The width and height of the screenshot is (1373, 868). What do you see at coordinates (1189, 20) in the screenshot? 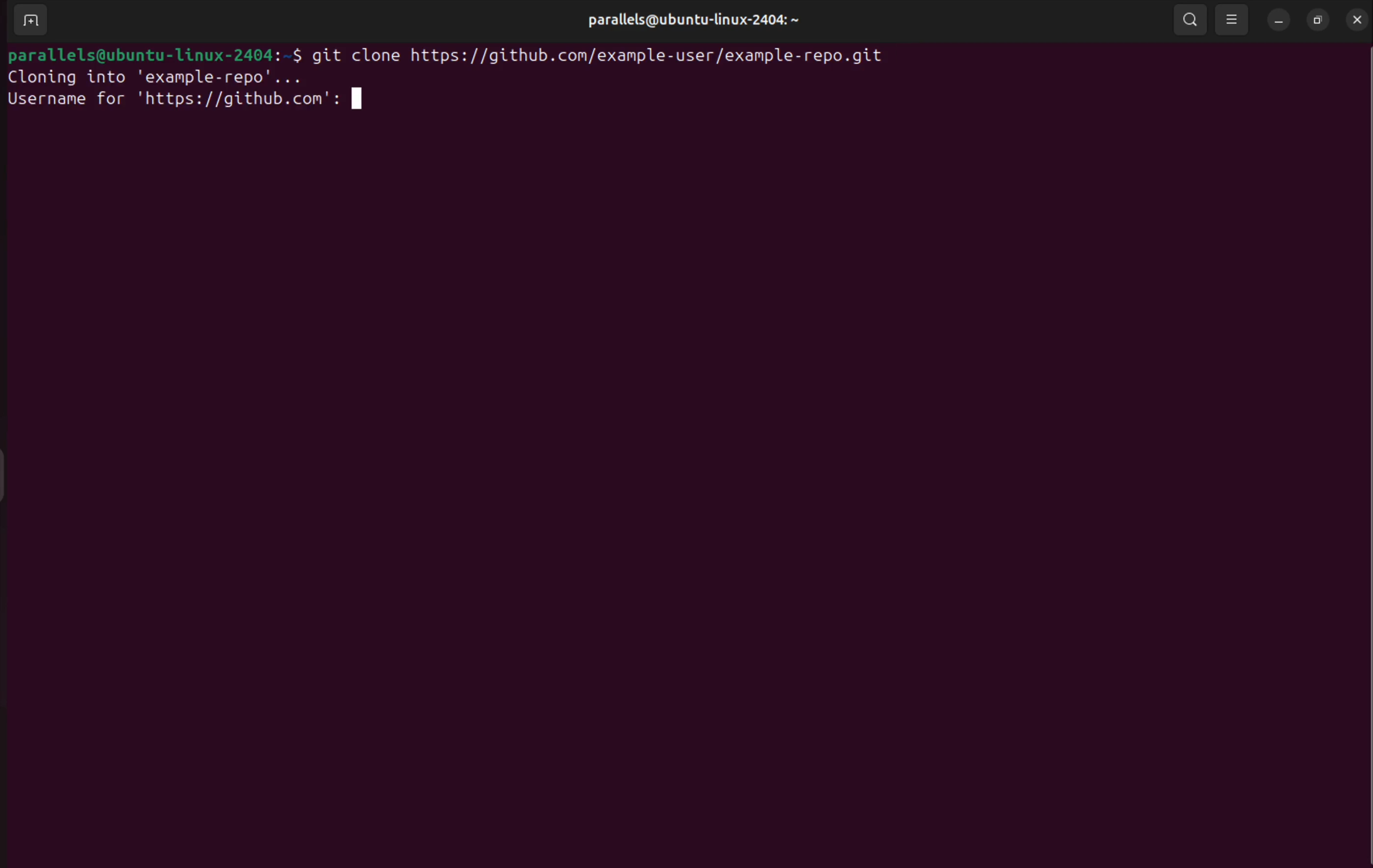
I see `search` at bounding box center [1189, 20].